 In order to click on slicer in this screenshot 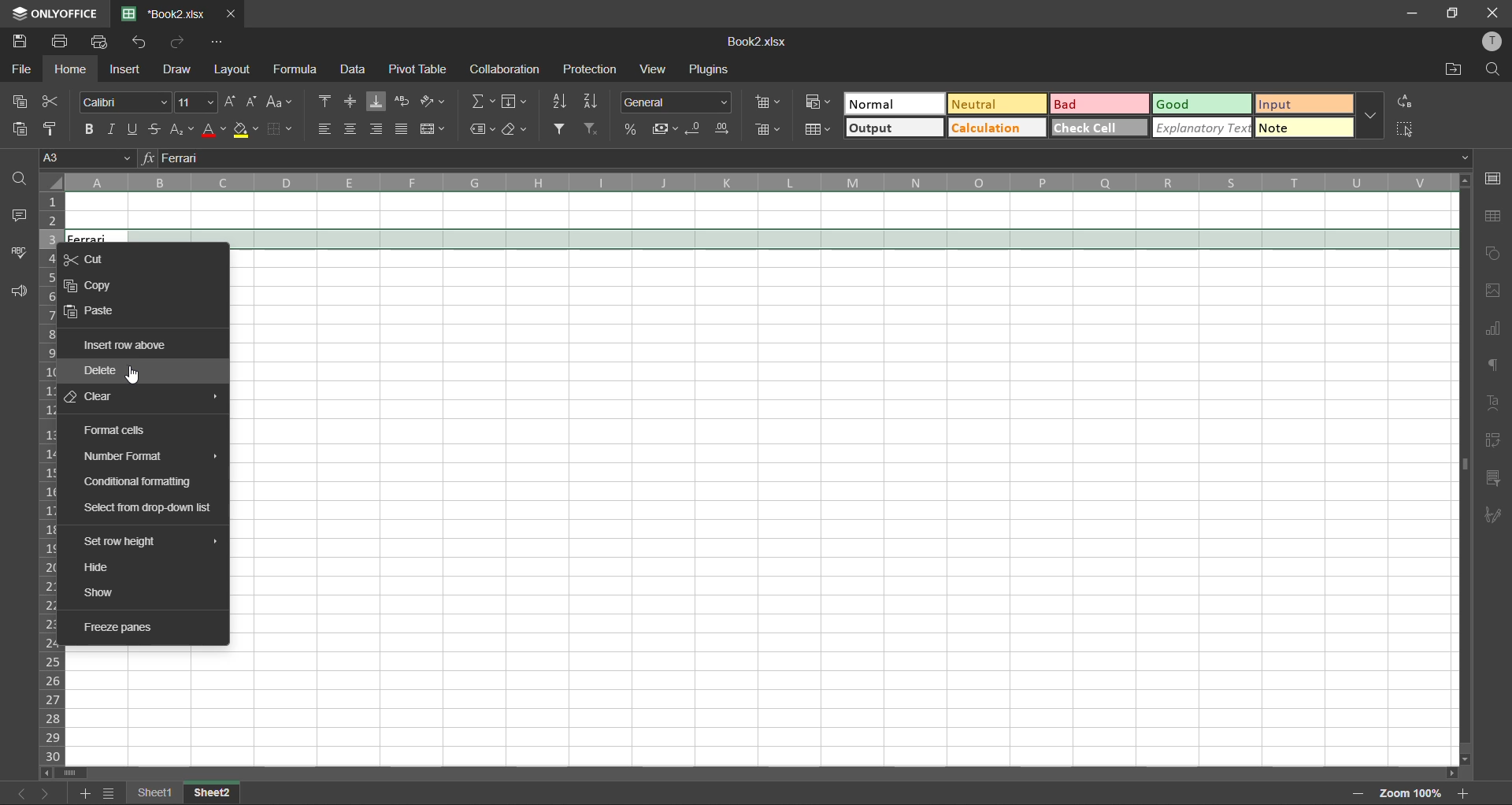, I will do `click(1496, 477)`.